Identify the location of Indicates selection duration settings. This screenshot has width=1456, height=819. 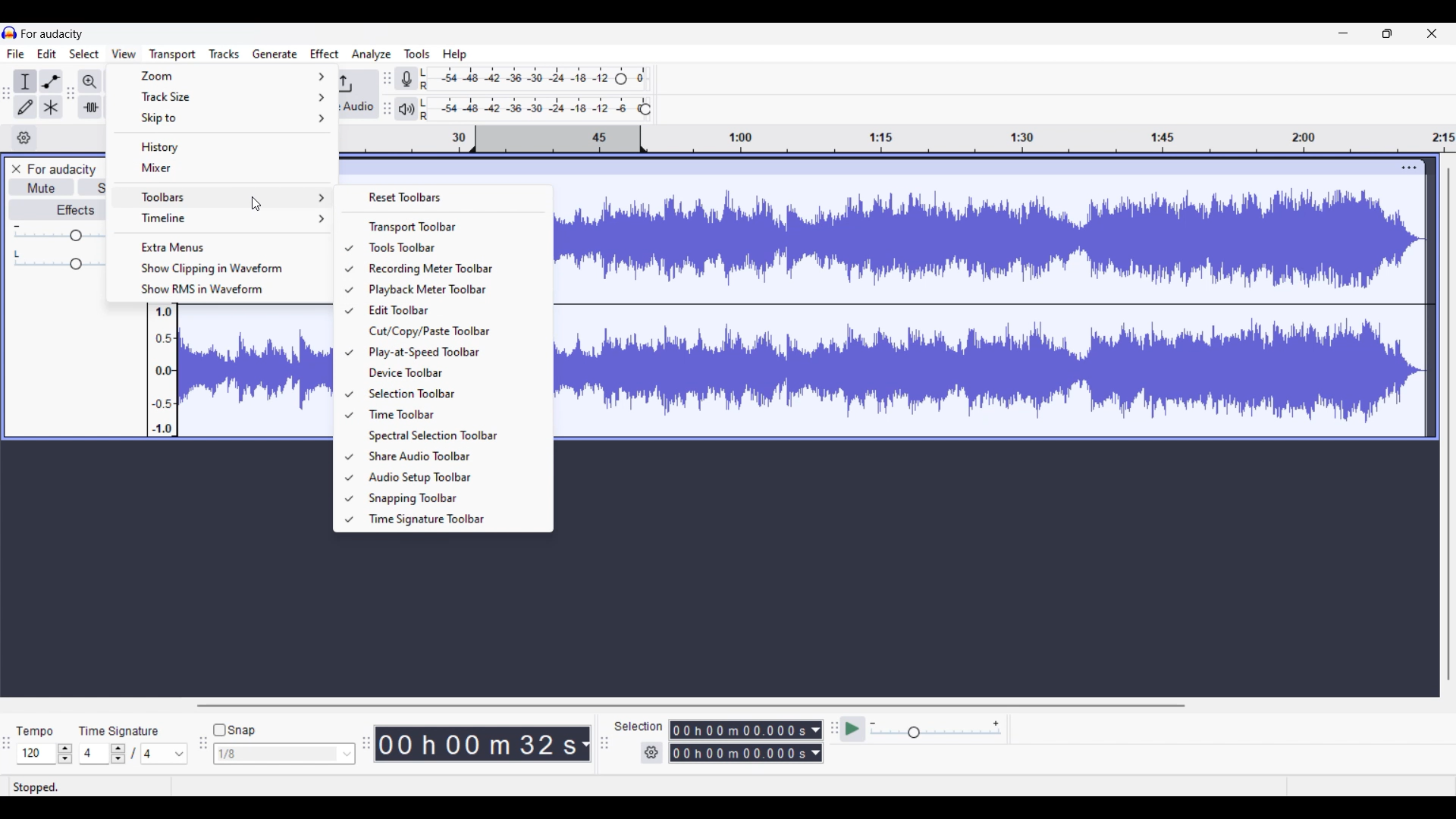
(639, 726).